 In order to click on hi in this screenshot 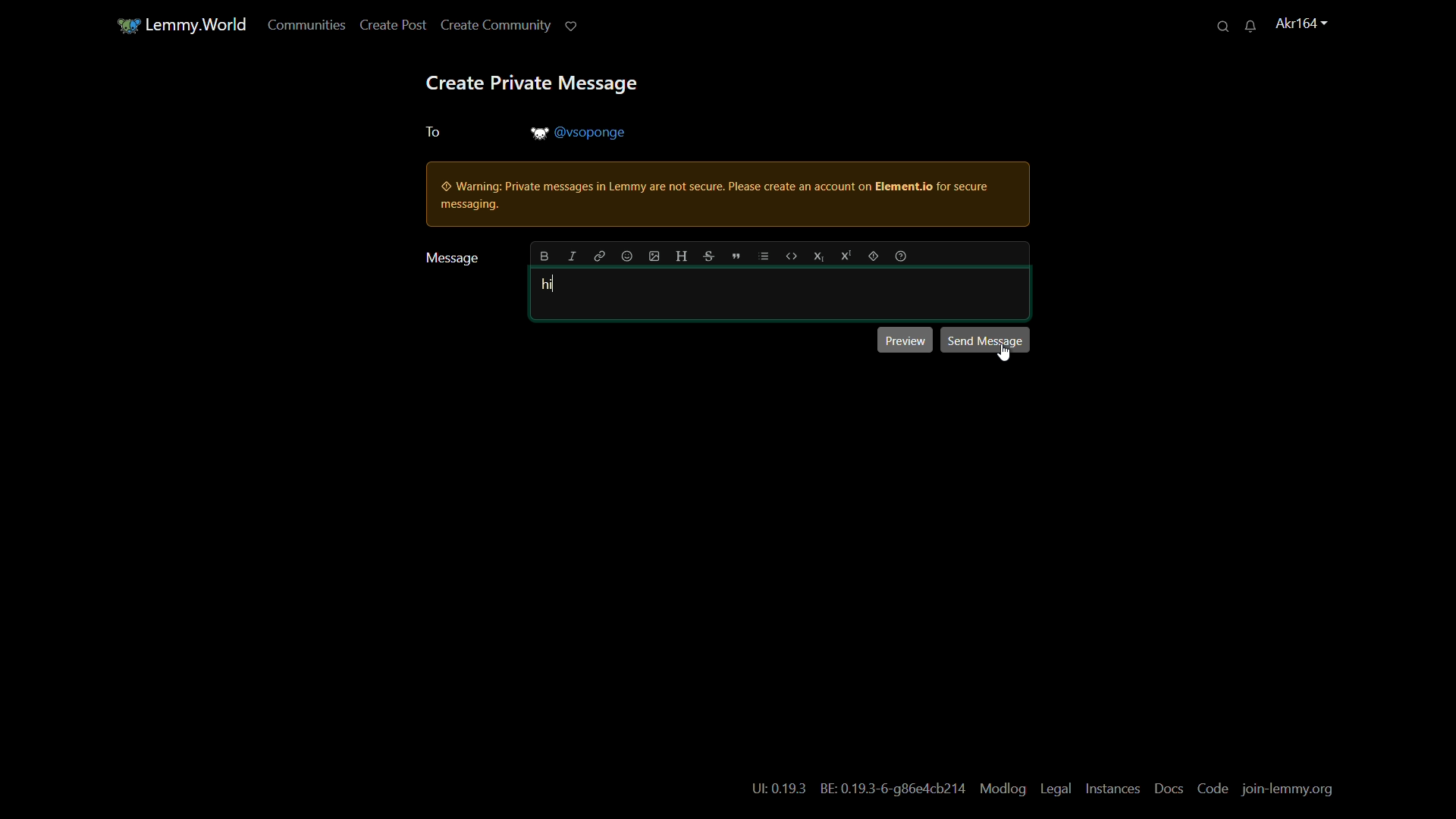, I will do `click(548, 285)`.